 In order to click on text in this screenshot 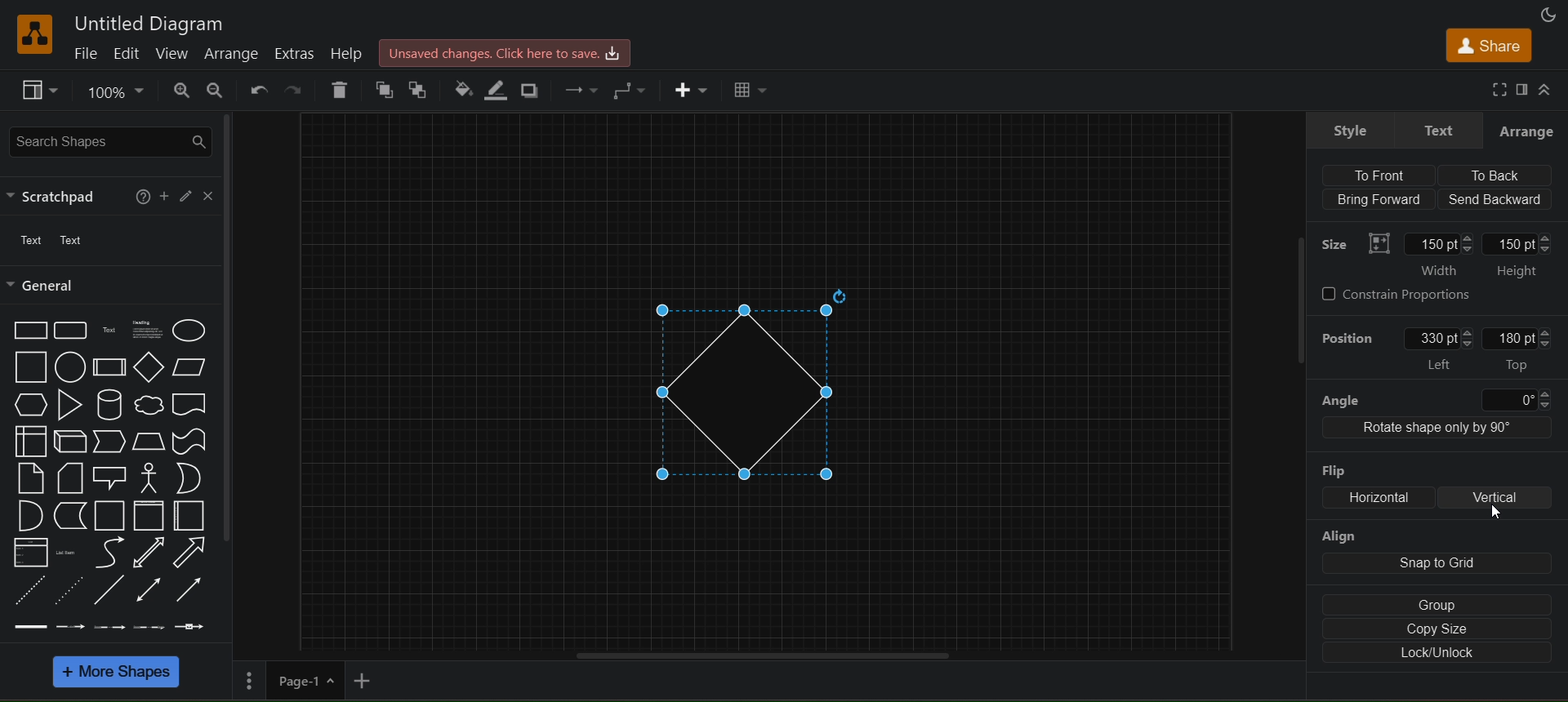, I will do `click(61, 242)`.